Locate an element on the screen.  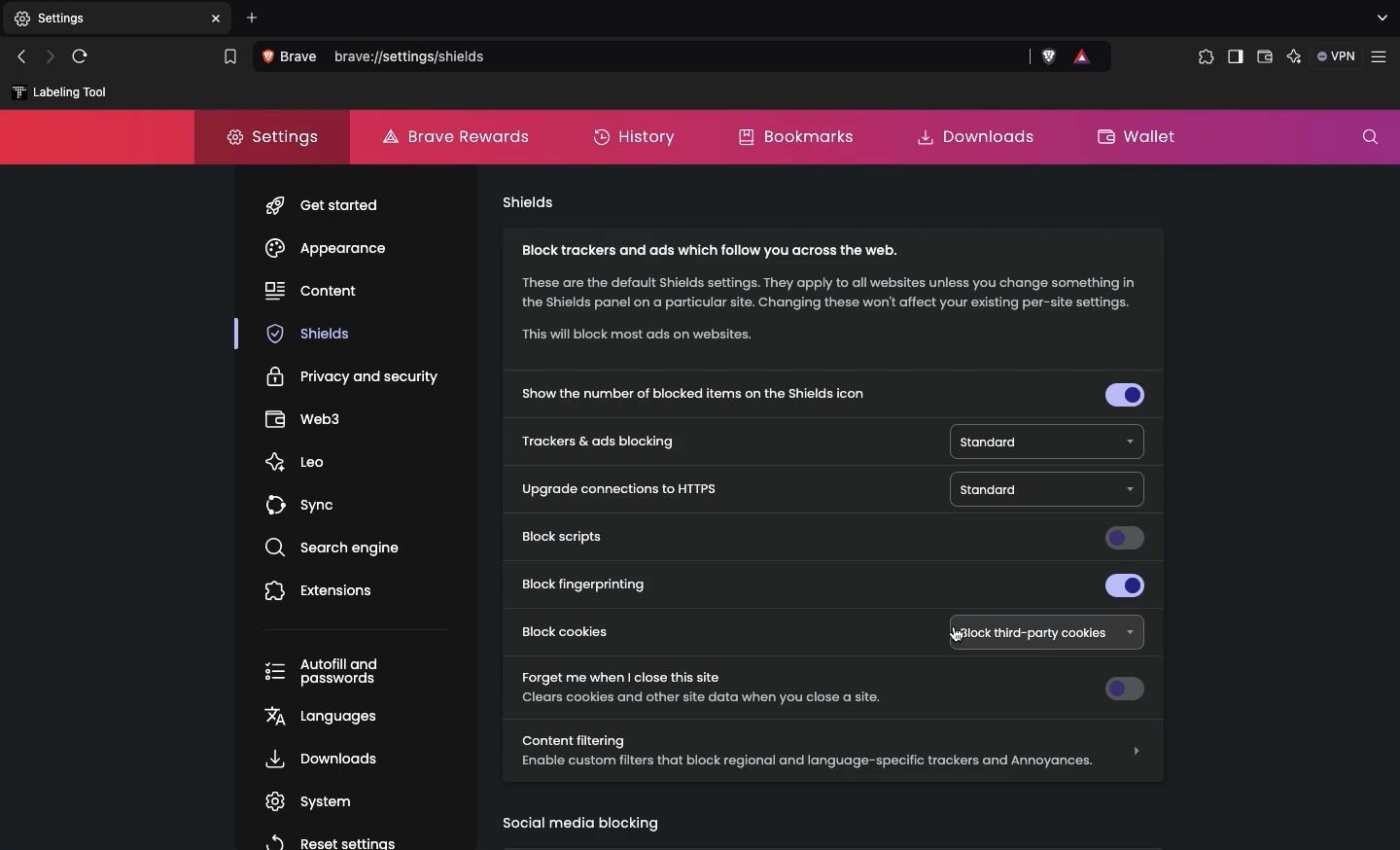
Content filtering Enable custom filters that block regional and language-specific trackers and Annoyances. is located at coordinates (834, 752).